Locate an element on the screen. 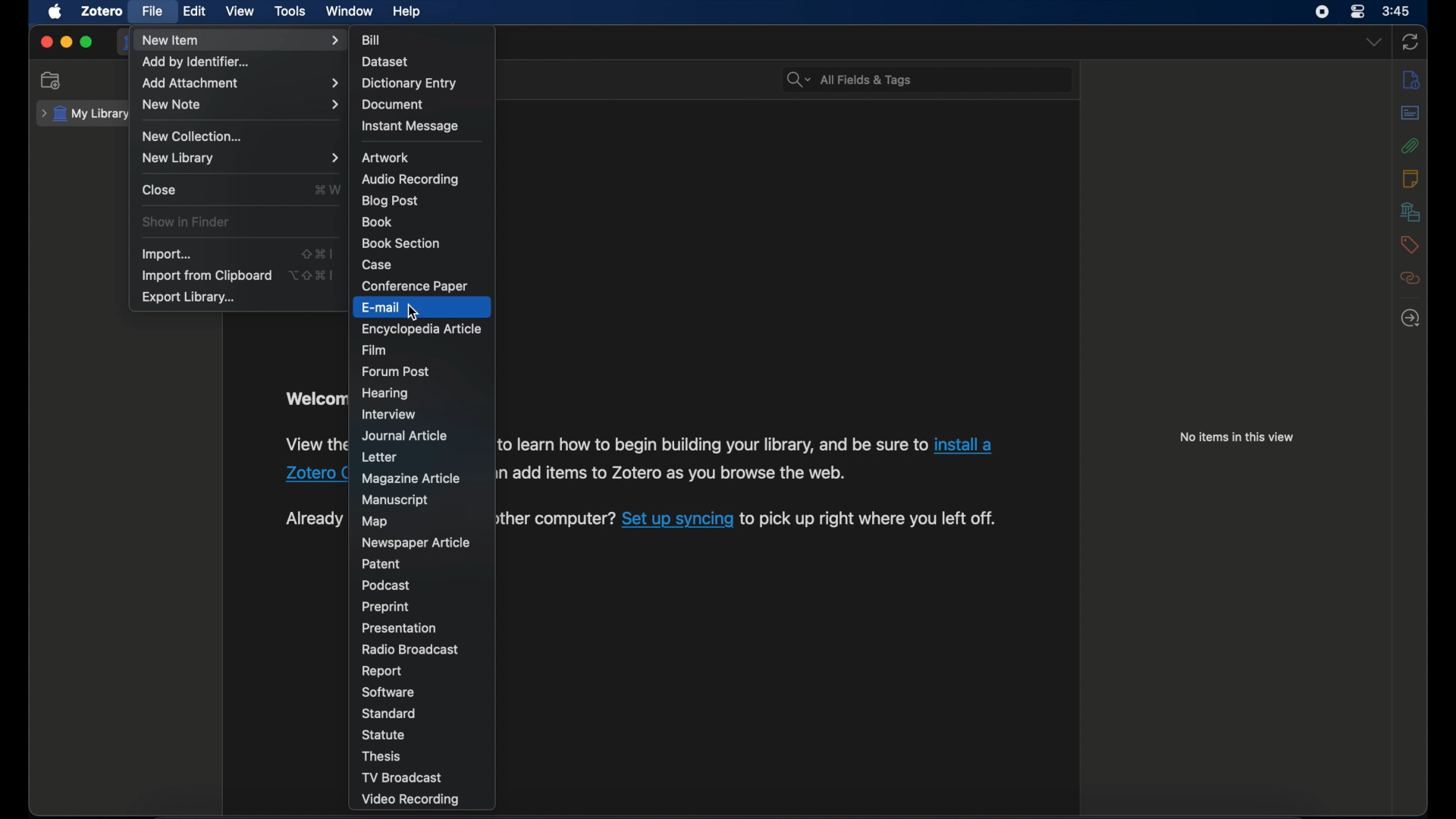  instant message is located at coordinates (409, 127).